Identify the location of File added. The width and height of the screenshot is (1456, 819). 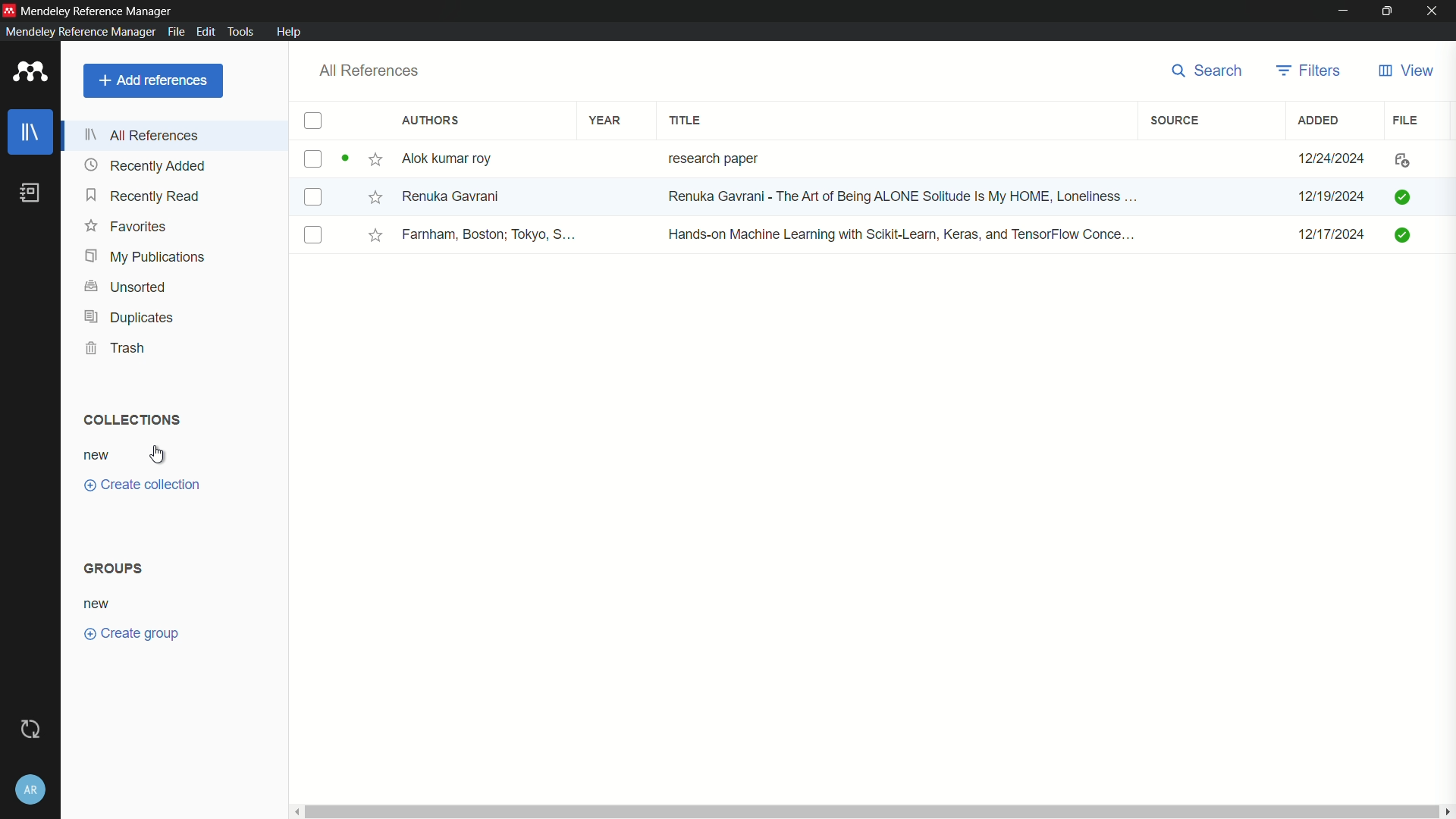
(1405, 196).